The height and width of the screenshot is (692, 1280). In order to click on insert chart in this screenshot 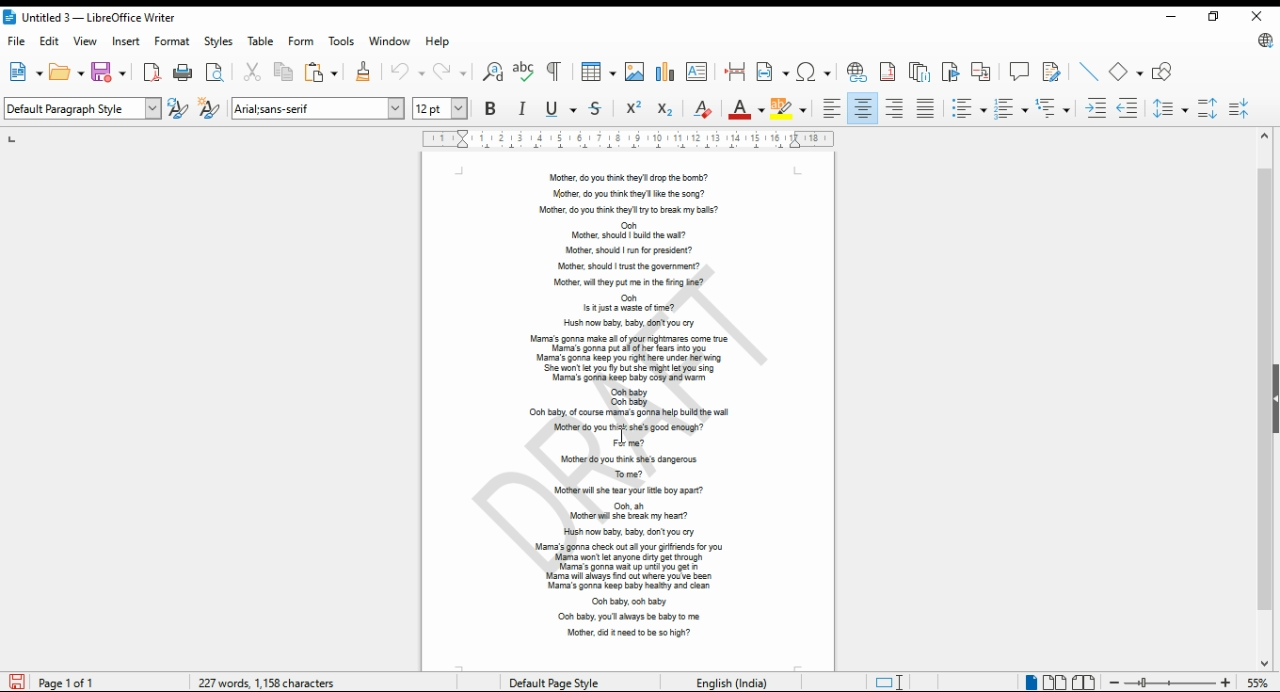, I will do `click(667, 72)`.